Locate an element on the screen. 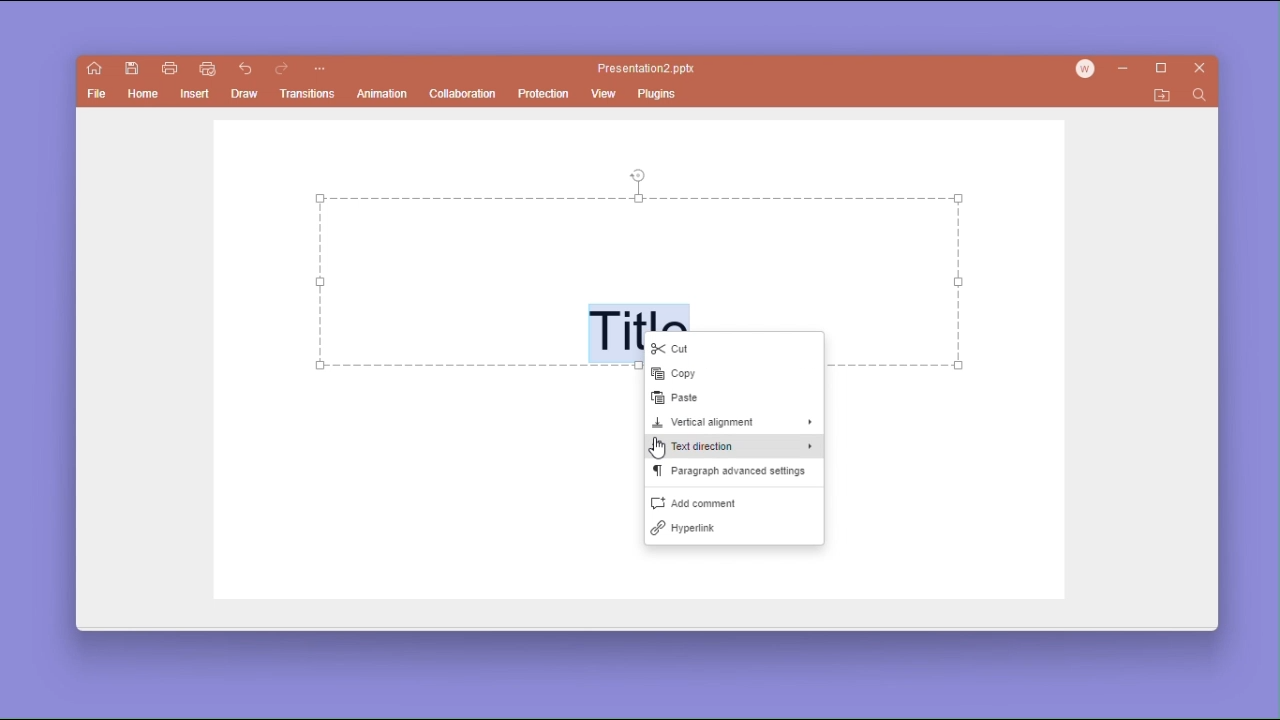 The width and height of the screenshot is (1280, 720). show main window is located at coordinates (95, 69).